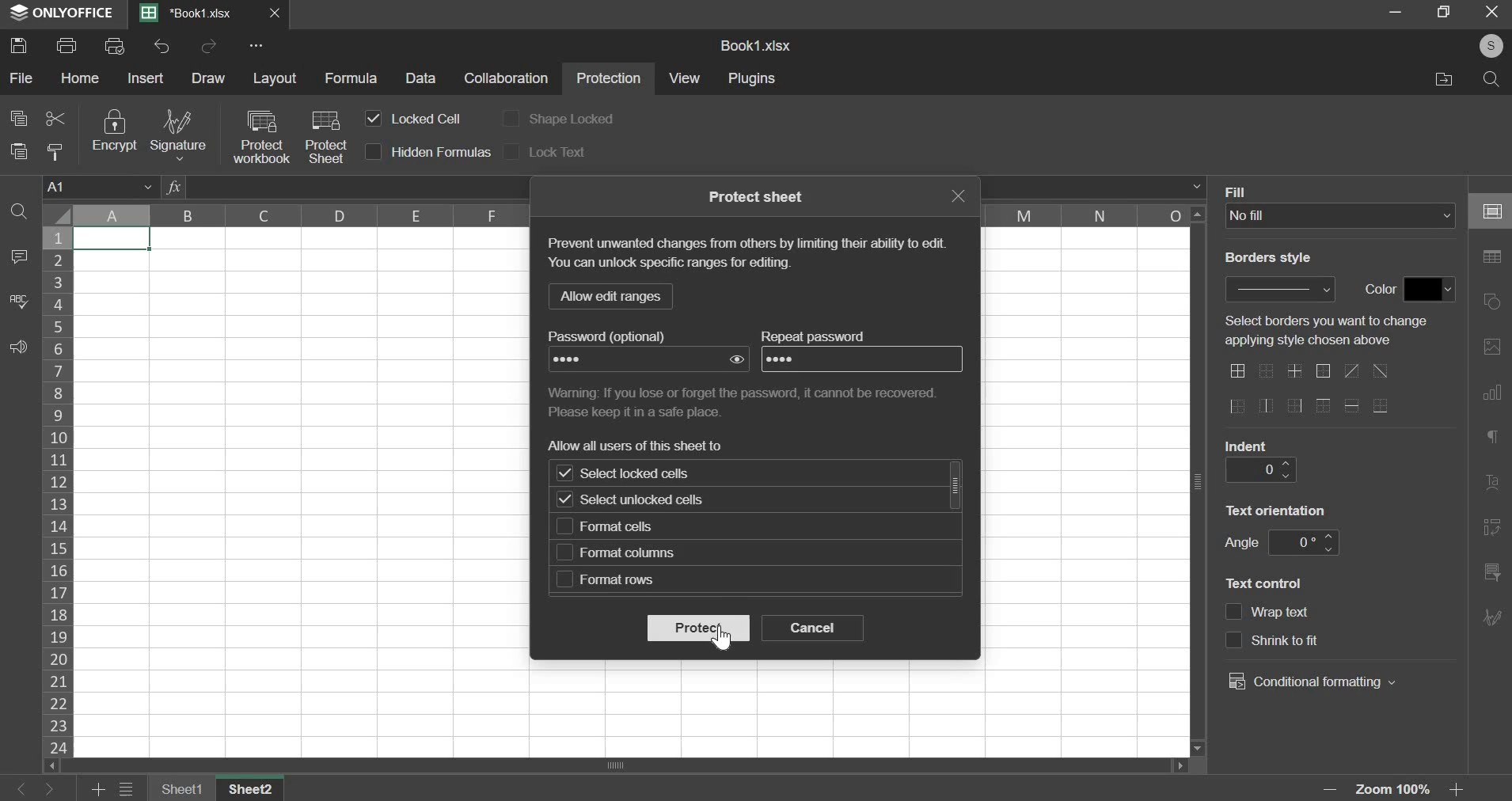 The width and height of the screenshot is (1512, 801). I want to click on feedback, so click(17, 347).